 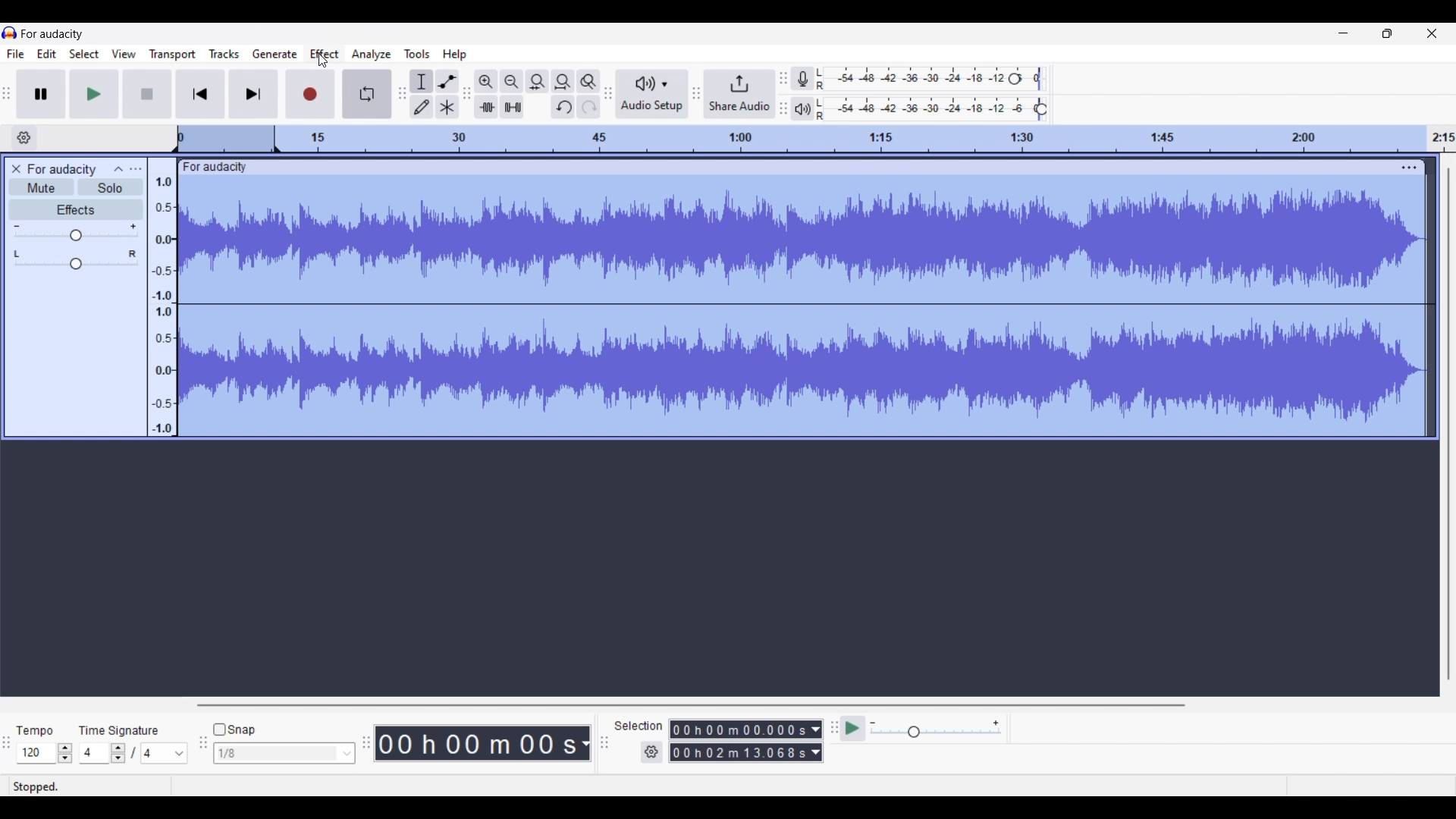 What do you see at coordinates (135, 168) in the screenshot?
I see `Open menu` at bounding box center [135, 168].